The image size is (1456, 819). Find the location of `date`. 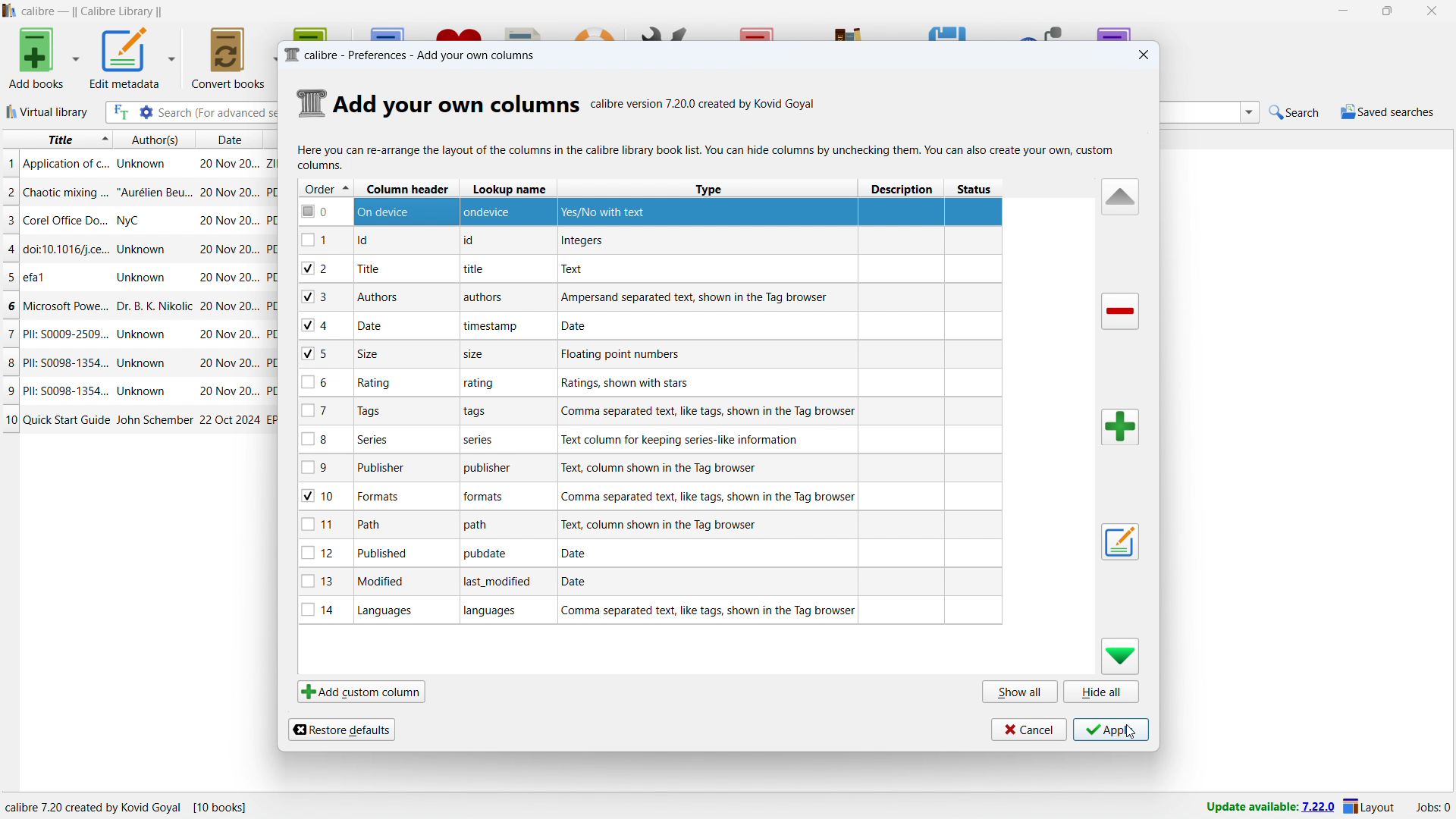

date is located at coordinates (230, 419).